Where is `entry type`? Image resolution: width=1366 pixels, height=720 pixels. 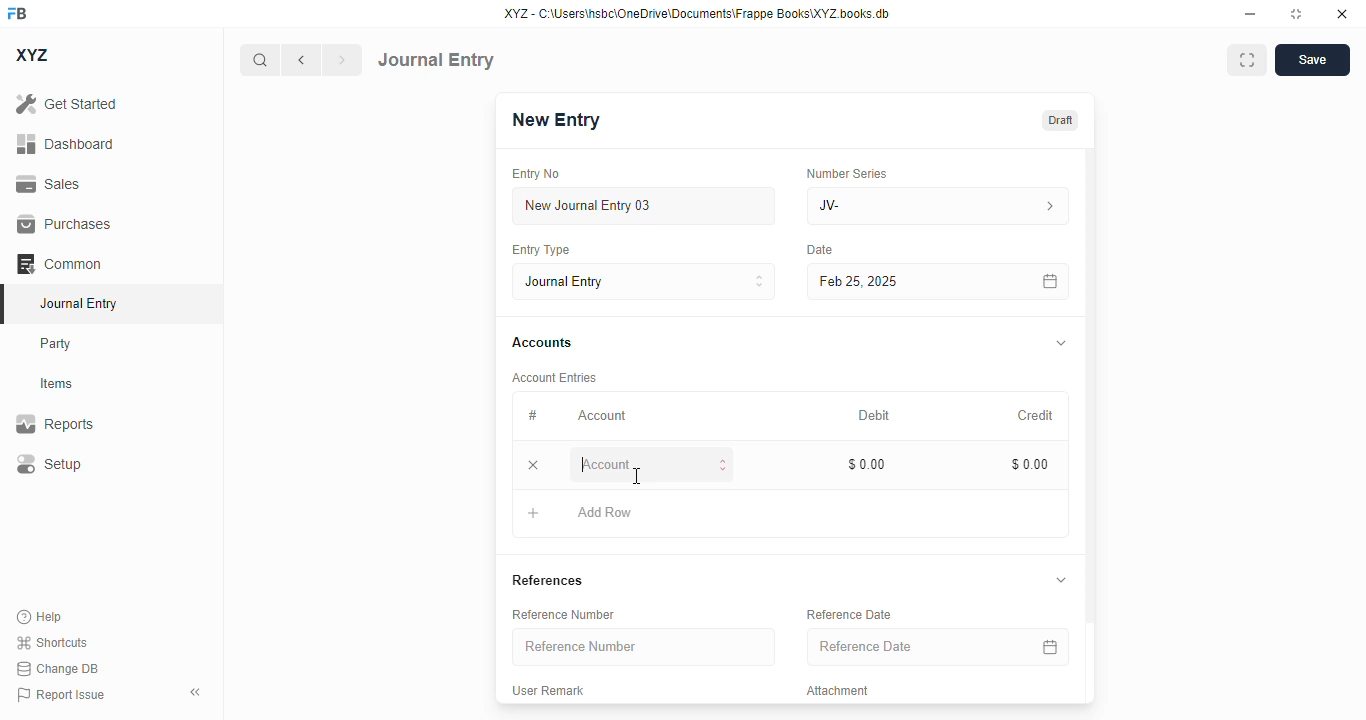 entry type is located at coordinates (643, 281).